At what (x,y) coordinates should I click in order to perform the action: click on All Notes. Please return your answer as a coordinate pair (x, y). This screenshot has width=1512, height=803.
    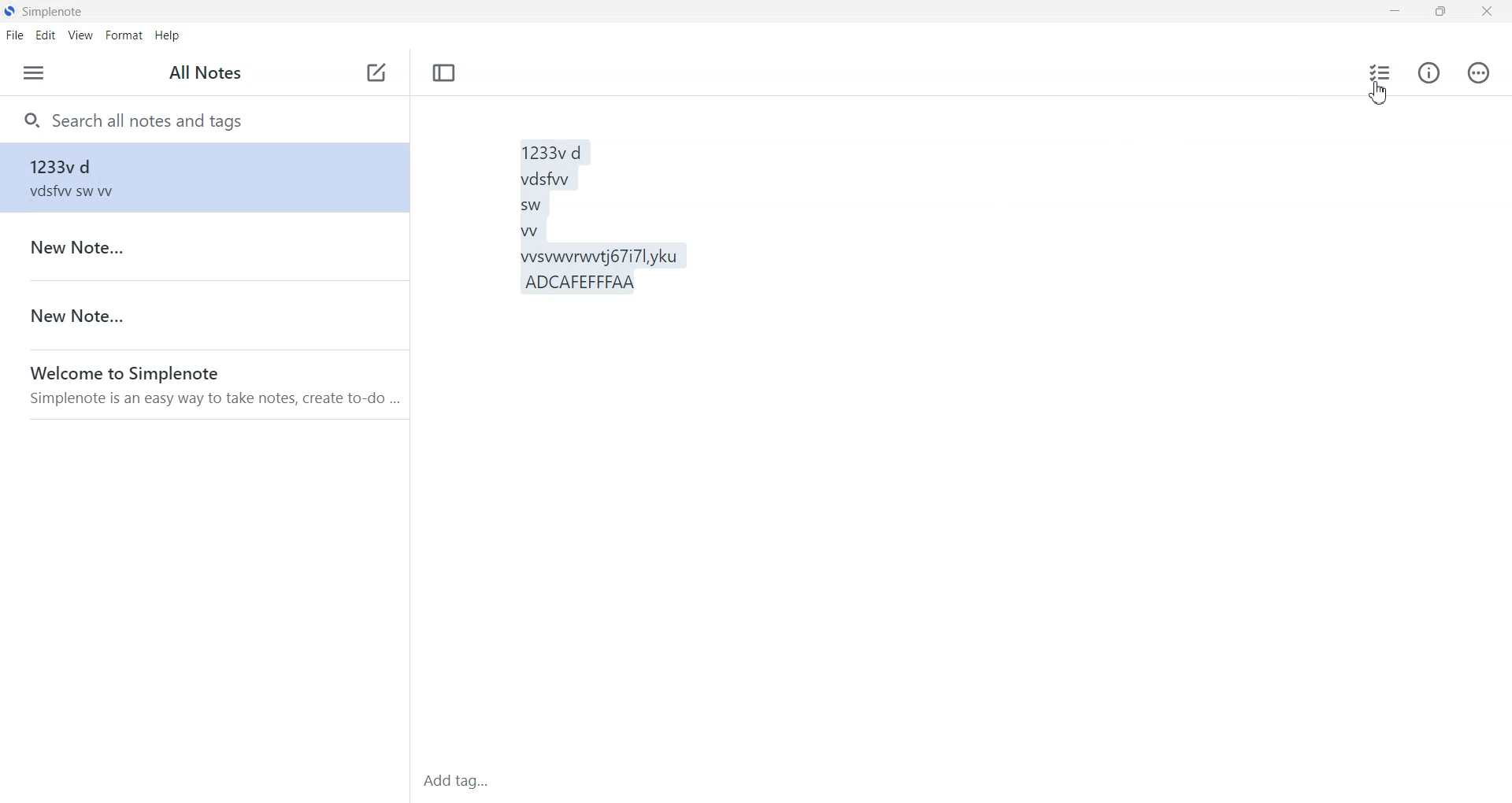
    Looking at the image, I should click on (206, 72).